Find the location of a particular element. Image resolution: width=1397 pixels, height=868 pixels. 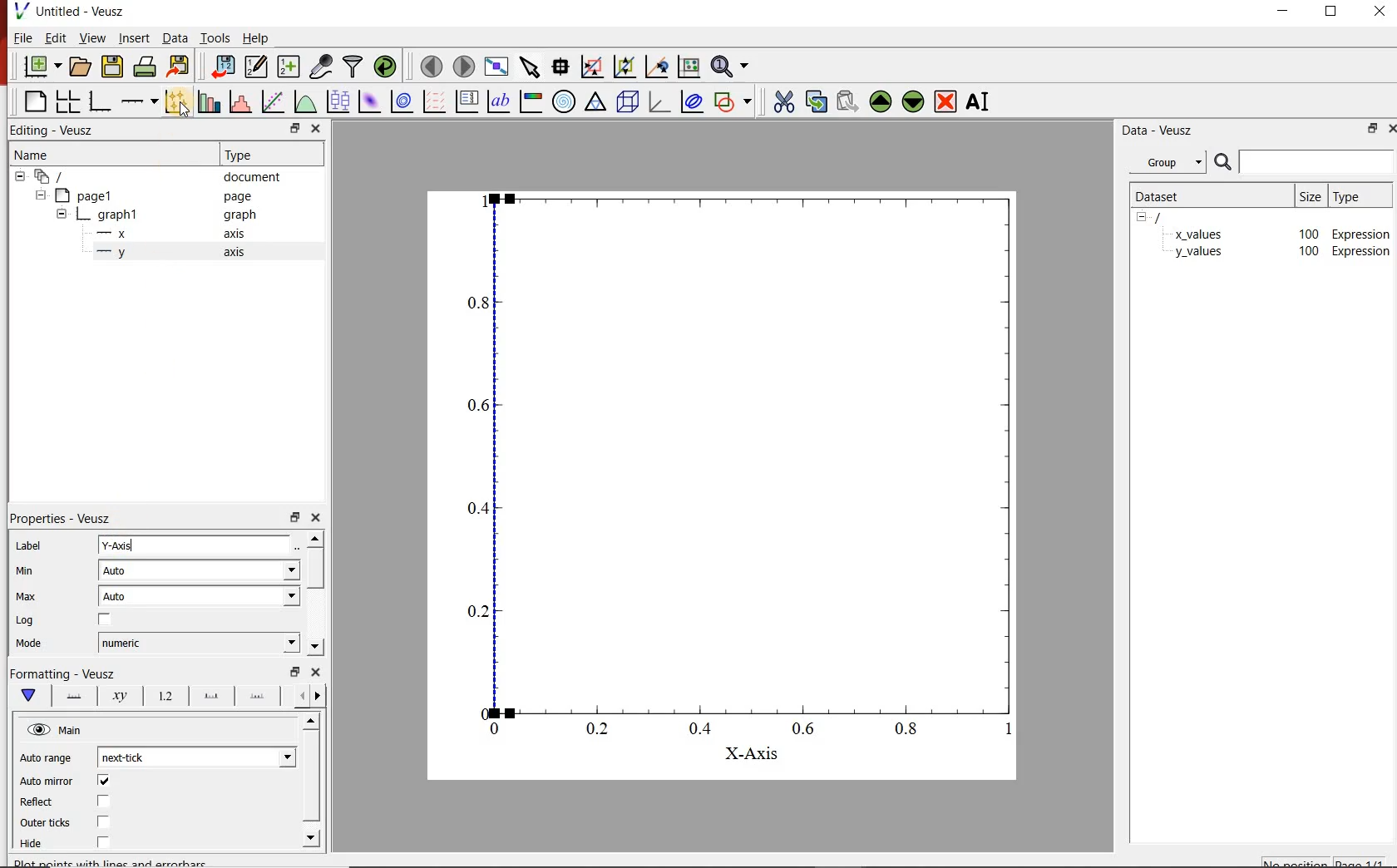

type is located at coordinates (1358, 197).